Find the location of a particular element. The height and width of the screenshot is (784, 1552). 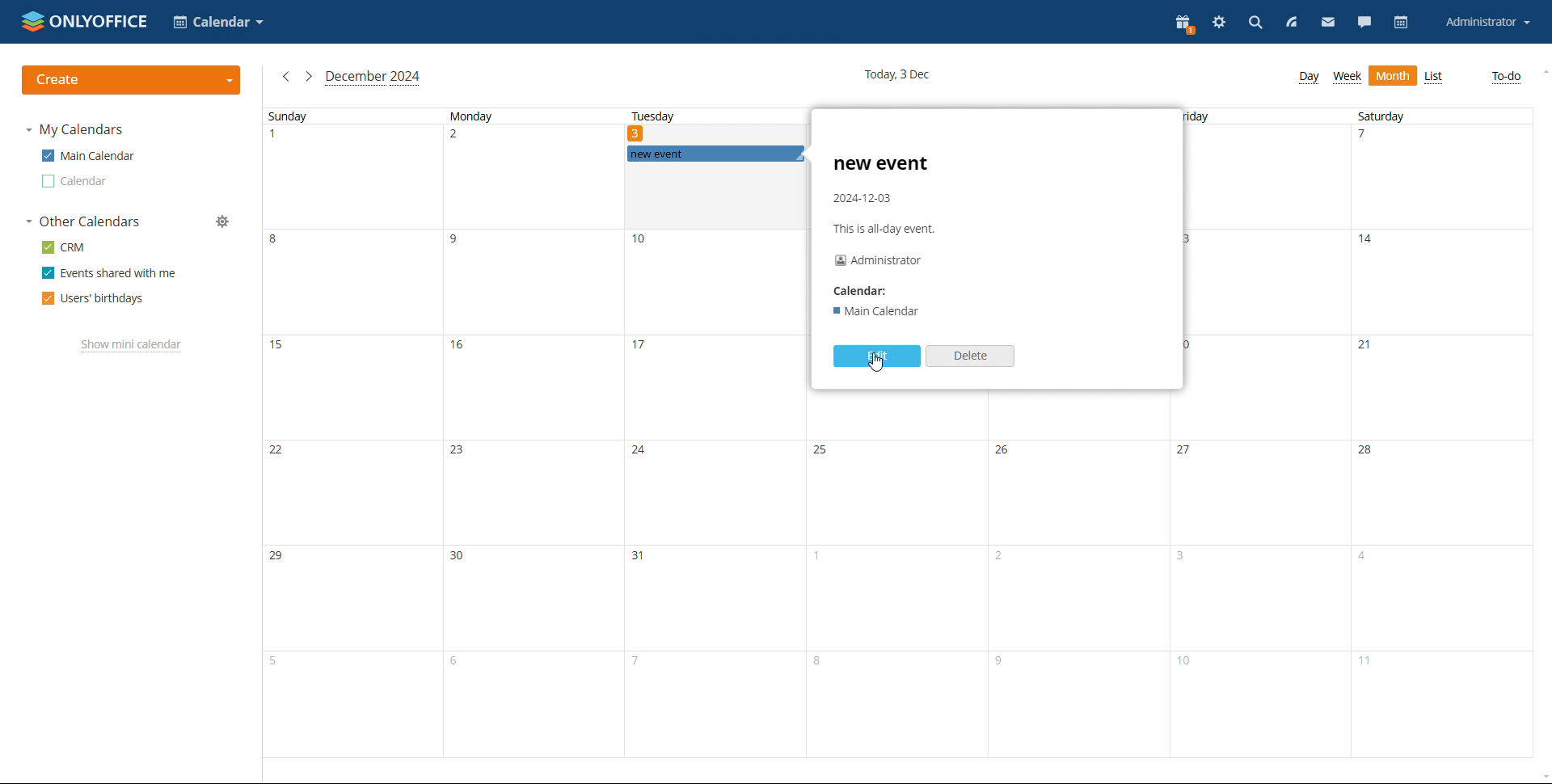

scrollbar is located at coordinates (1551, 404).